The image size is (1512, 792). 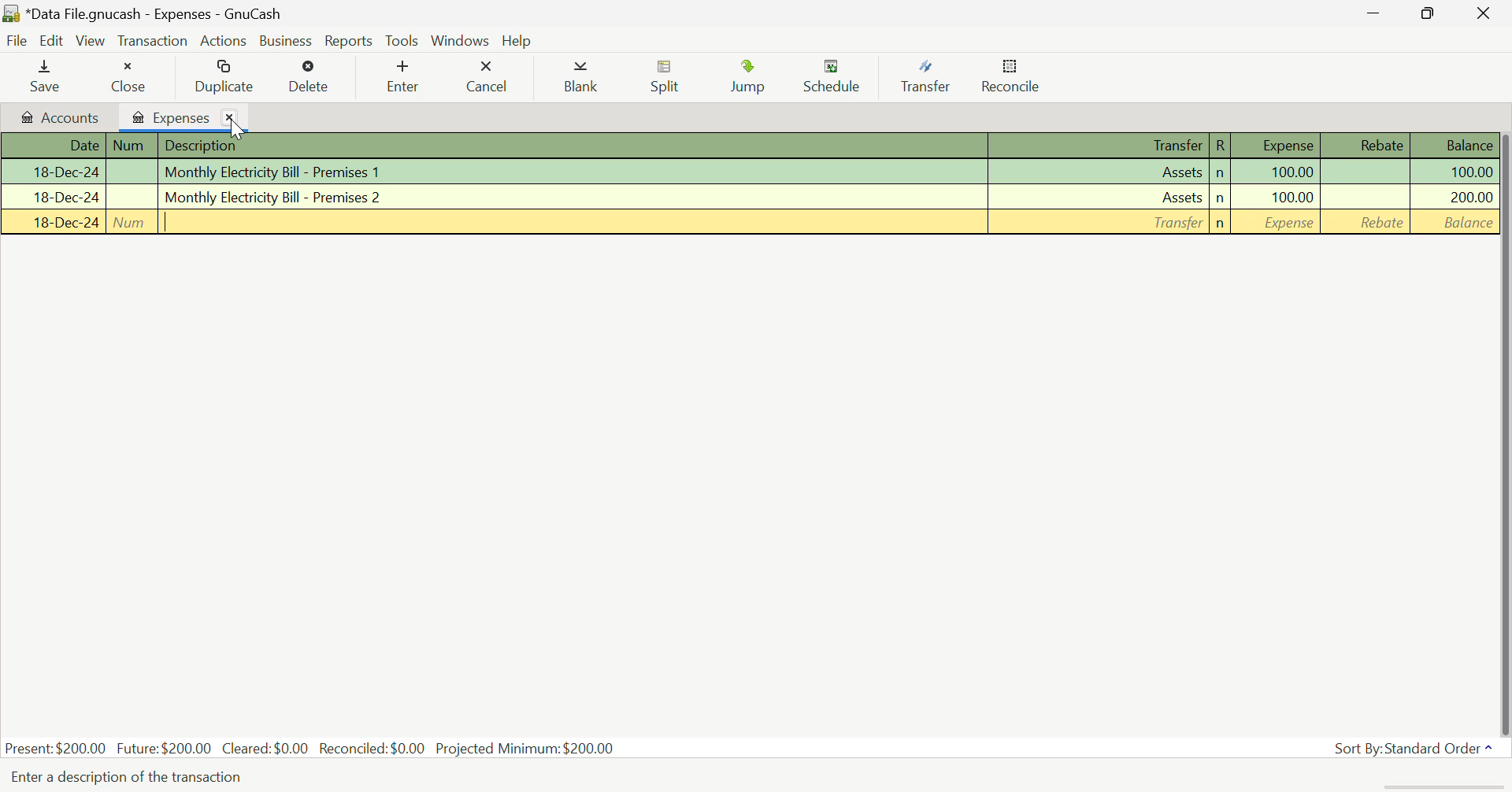 I want to click on Enter a description of the transaction, so click(x=132, y=779).